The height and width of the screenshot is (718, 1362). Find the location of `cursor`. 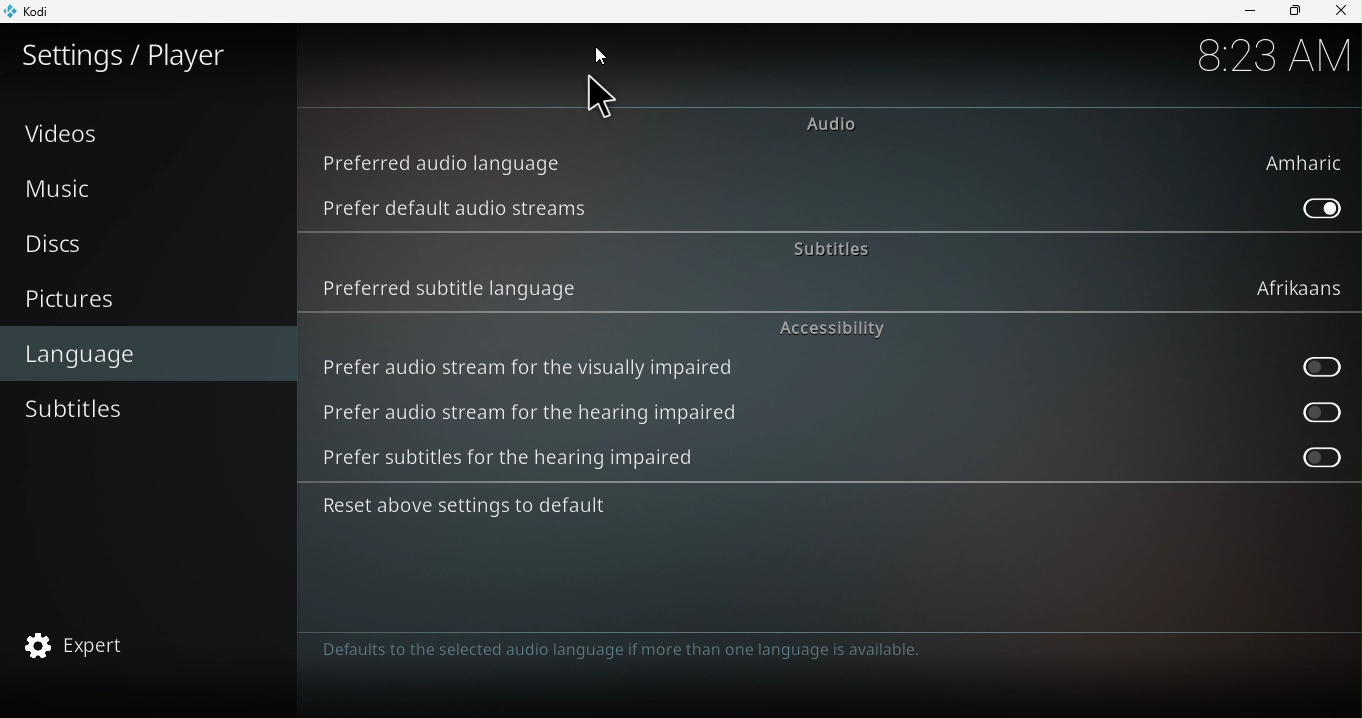

cursor is located at coordinates (592, 99).